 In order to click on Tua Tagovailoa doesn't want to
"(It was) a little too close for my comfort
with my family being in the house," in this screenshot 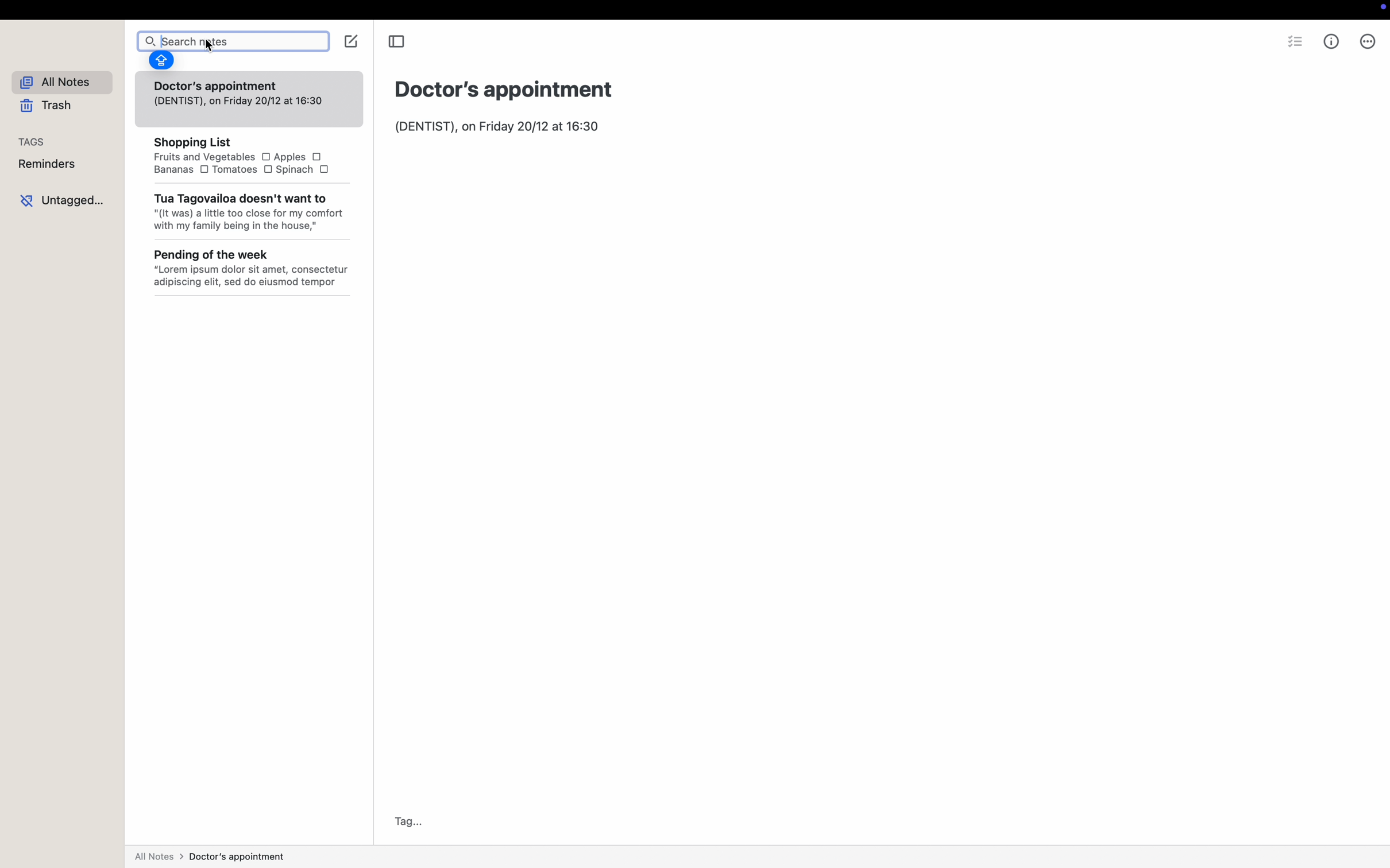, I will do `click(249, 218)`.